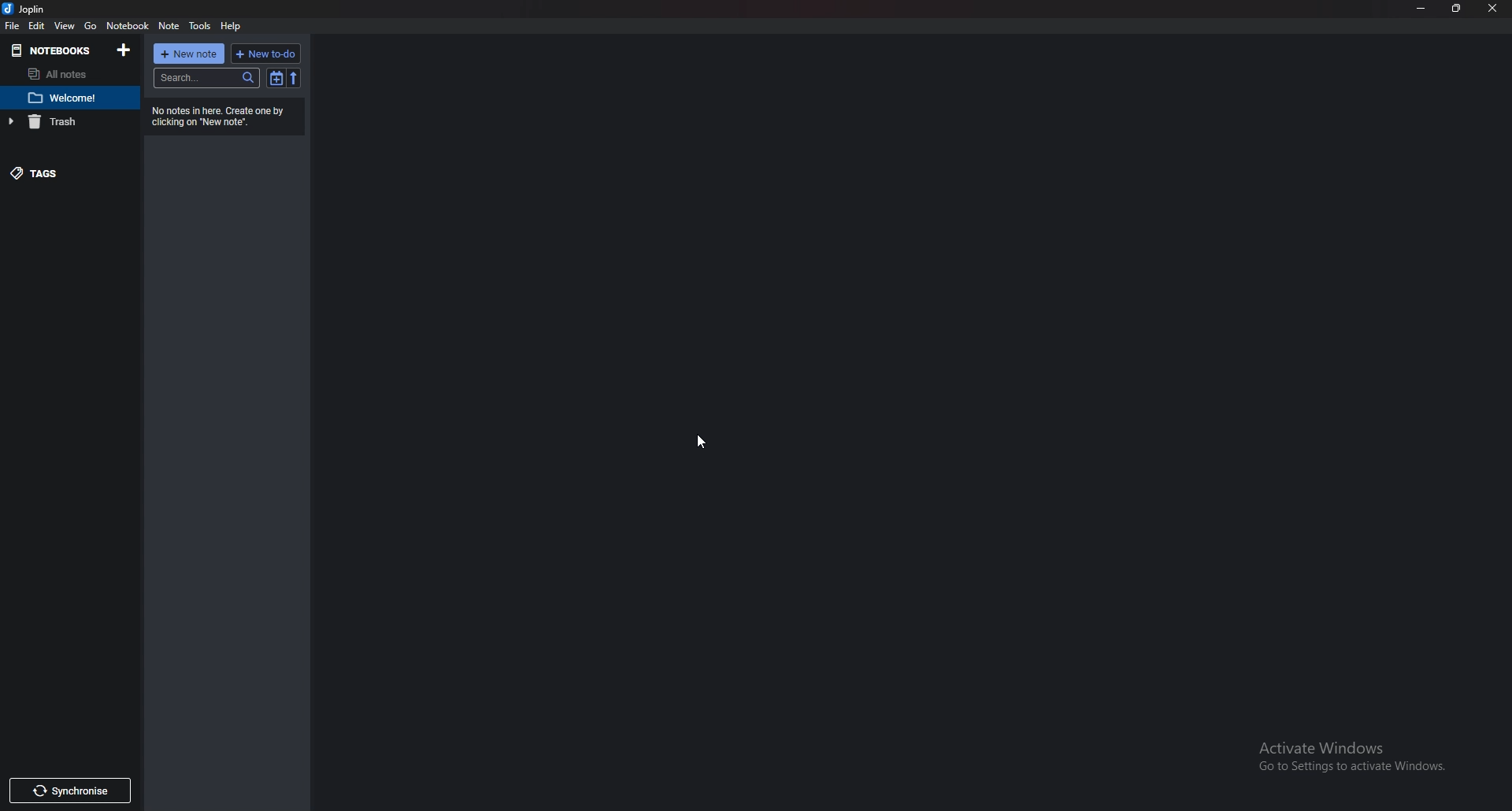  What do you see at coordinates (704, 444) in the screenshot?
I see `cursor` at bounding box center [704, 444].